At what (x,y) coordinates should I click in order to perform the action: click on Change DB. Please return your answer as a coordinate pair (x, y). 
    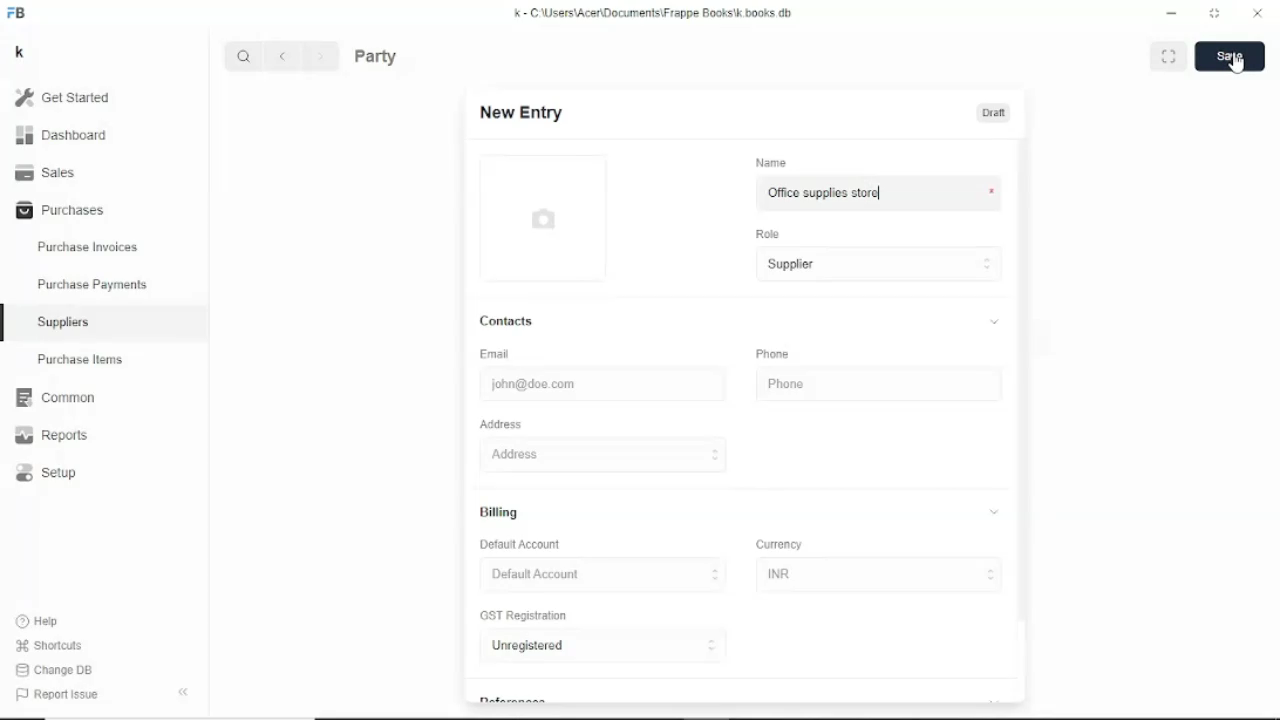
    Looking at the image, I should click on (55, 671).